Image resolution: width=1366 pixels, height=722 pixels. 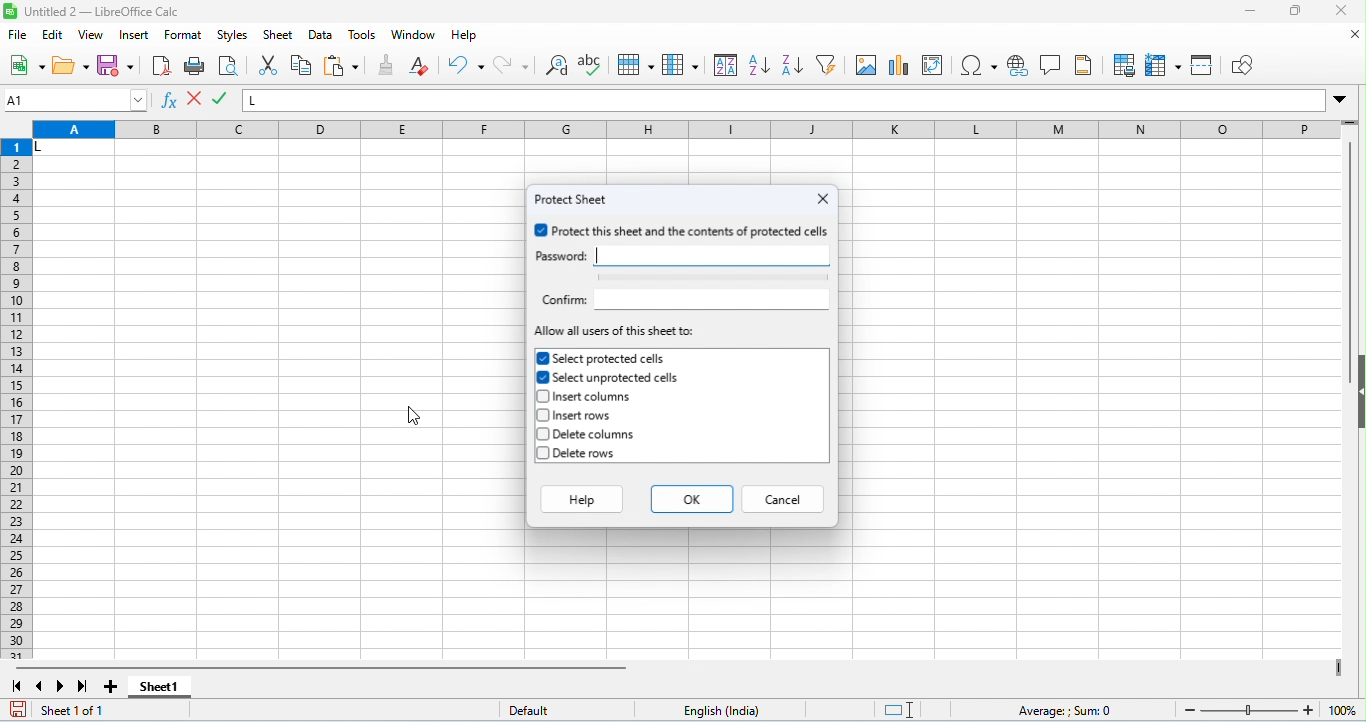 What do you see at coordinates (54, 36) in the screenshot?
I see `edit` at bounding box center [54, 36].